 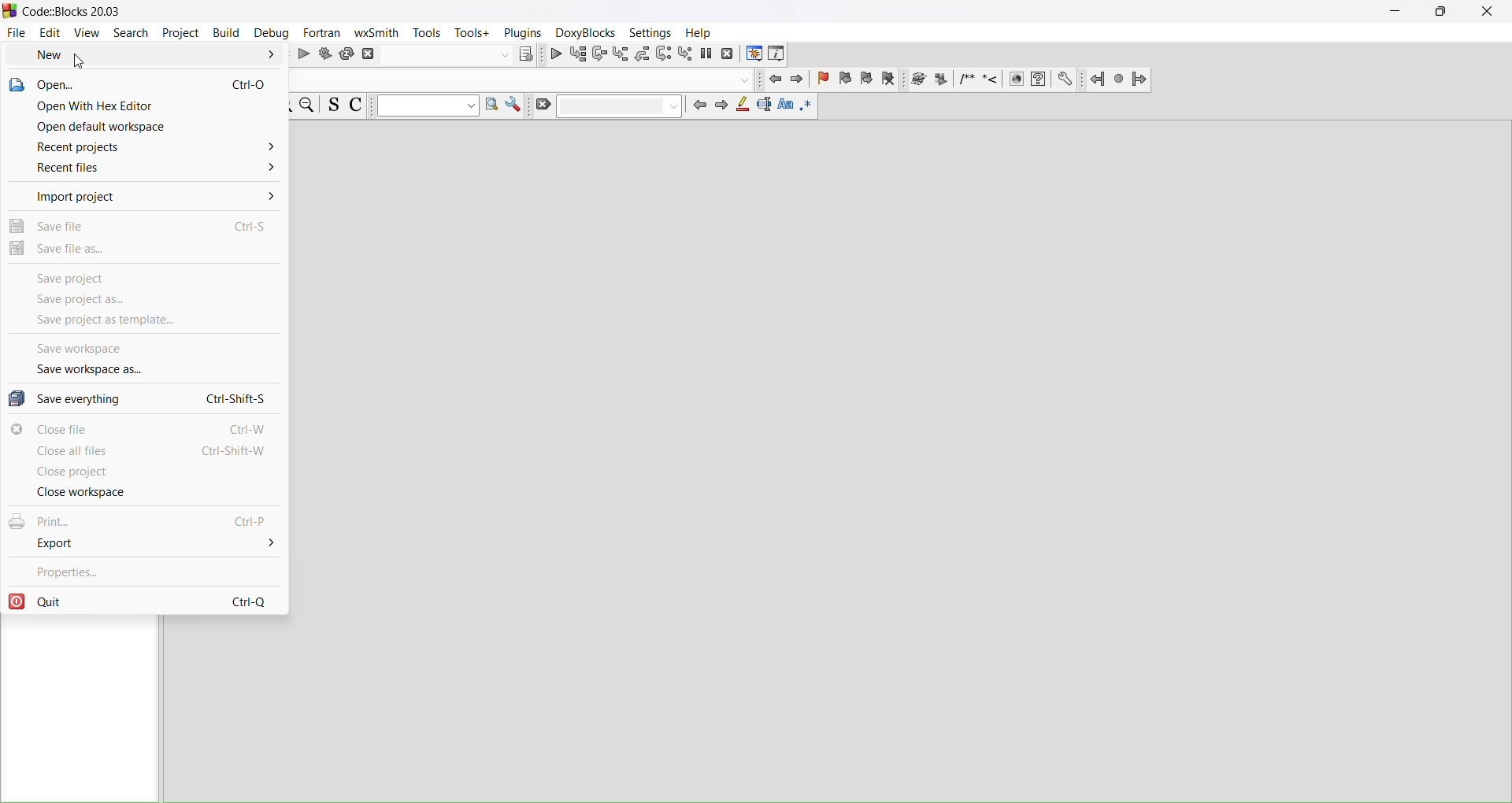 What do you see at coordinates (1039, 80) in the screenshot?
I see `HTML help` at bounding box center [1039, 80].